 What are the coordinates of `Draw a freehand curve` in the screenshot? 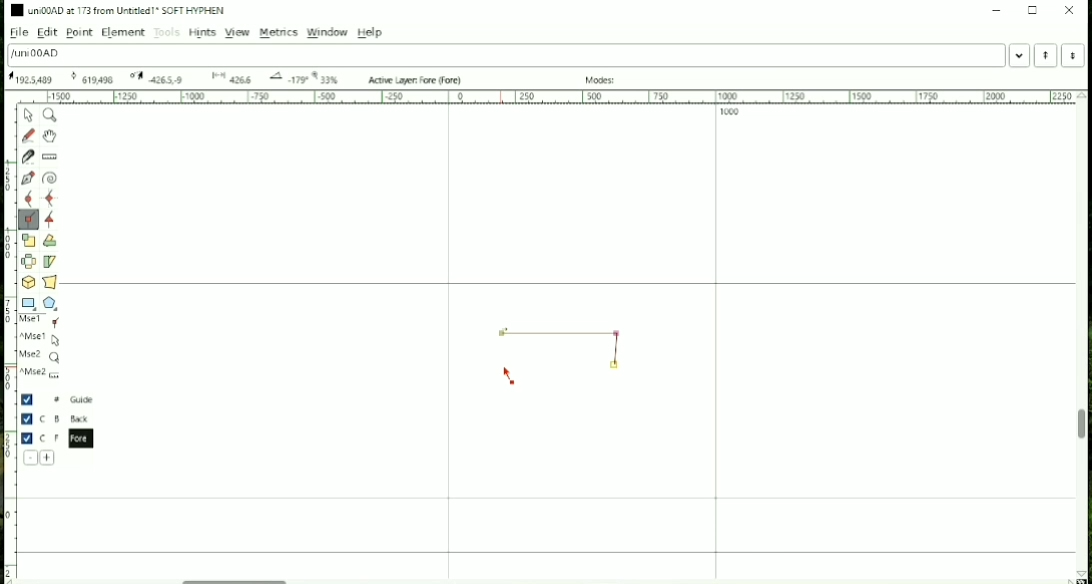 It's located at (28, 135).